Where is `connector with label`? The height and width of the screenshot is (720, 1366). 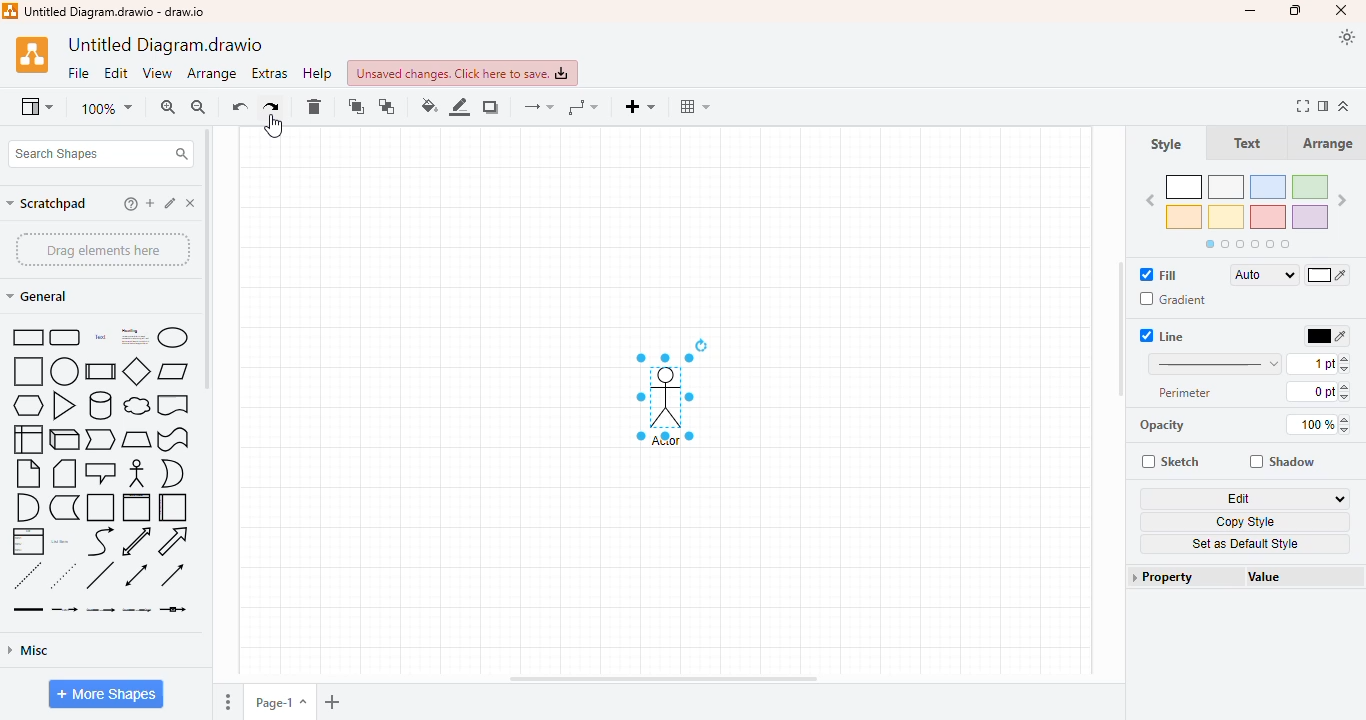 connector with label is located at coordinates (65, 609).